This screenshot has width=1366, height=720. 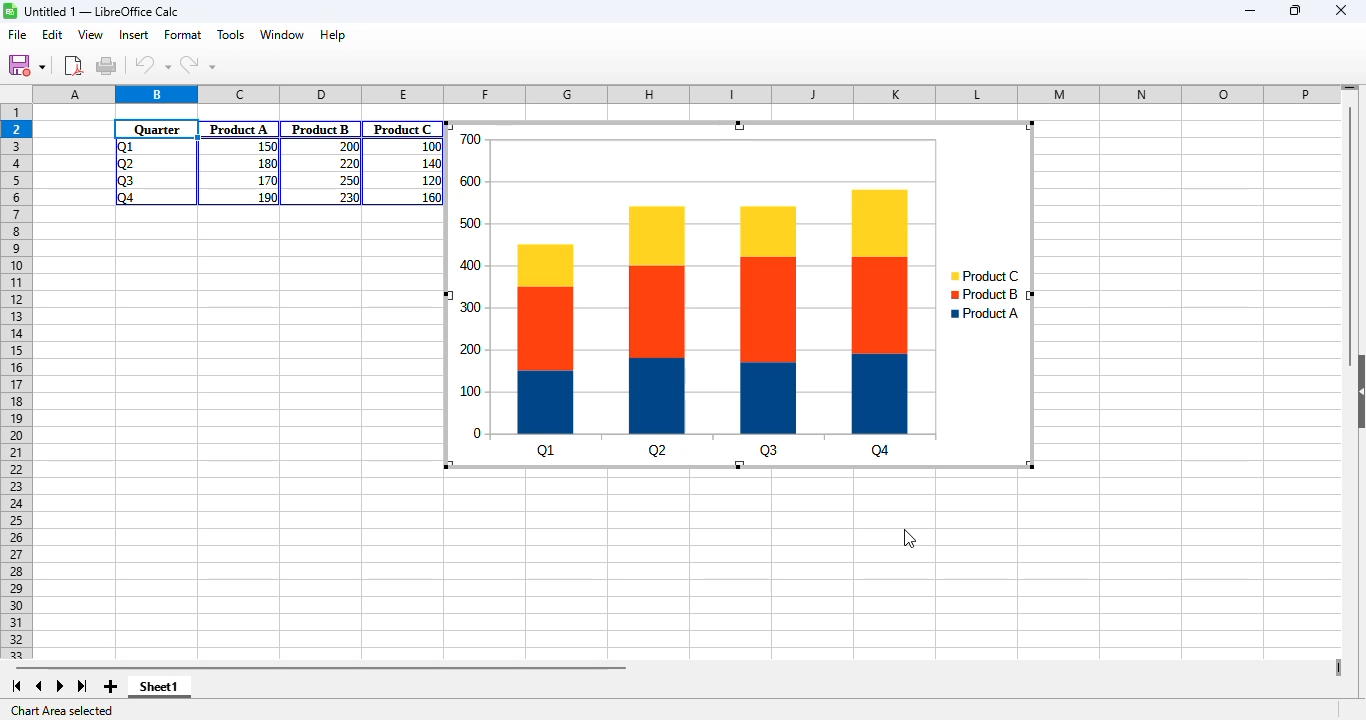 What do you see at coordinates (60, 686) in the screenshot?
I see `scroll to next sheet` at bounding box center [60, 686].